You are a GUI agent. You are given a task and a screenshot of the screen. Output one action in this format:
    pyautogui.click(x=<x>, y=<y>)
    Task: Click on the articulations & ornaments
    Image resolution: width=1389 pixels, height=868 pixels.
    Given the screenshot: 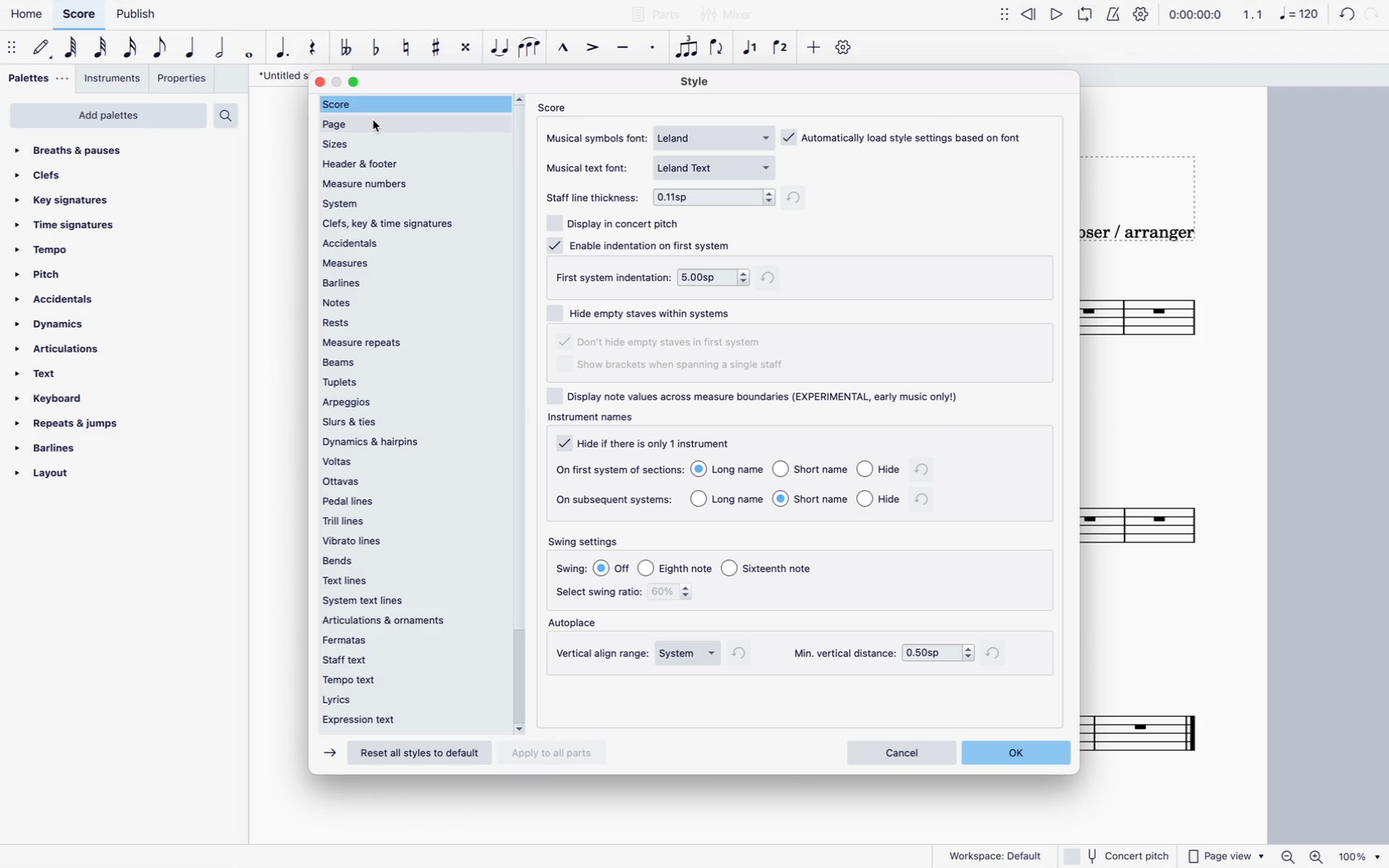 What is the action you would take?
    pyautogui.click(x=390, y=622)
    